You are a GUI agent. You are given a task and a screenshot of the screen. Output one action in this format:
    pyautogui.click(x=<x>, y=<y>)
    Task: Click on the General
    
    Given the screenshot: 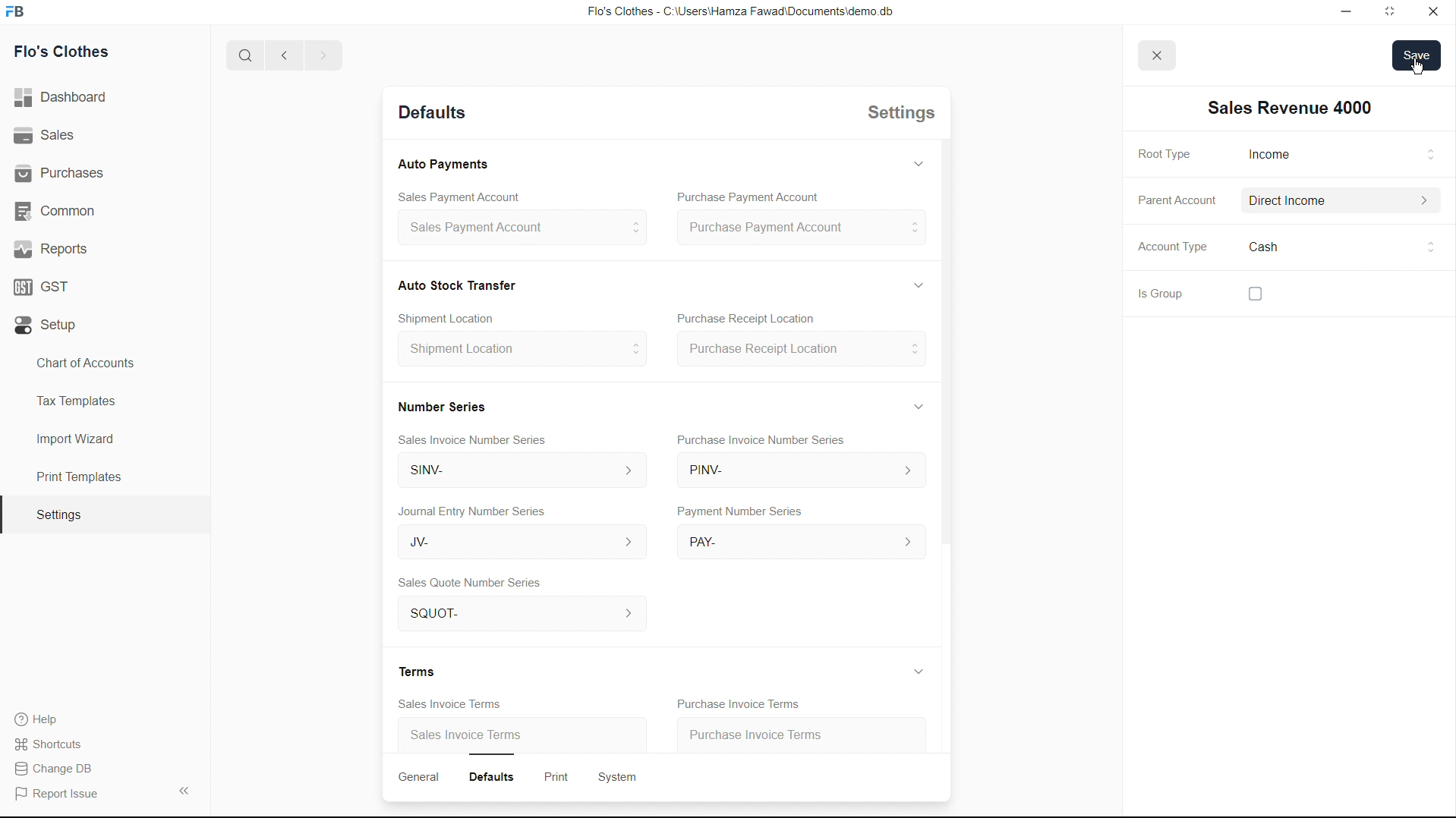 What is the action you would take?
    pyautogui.click(x=421, y=777)
    